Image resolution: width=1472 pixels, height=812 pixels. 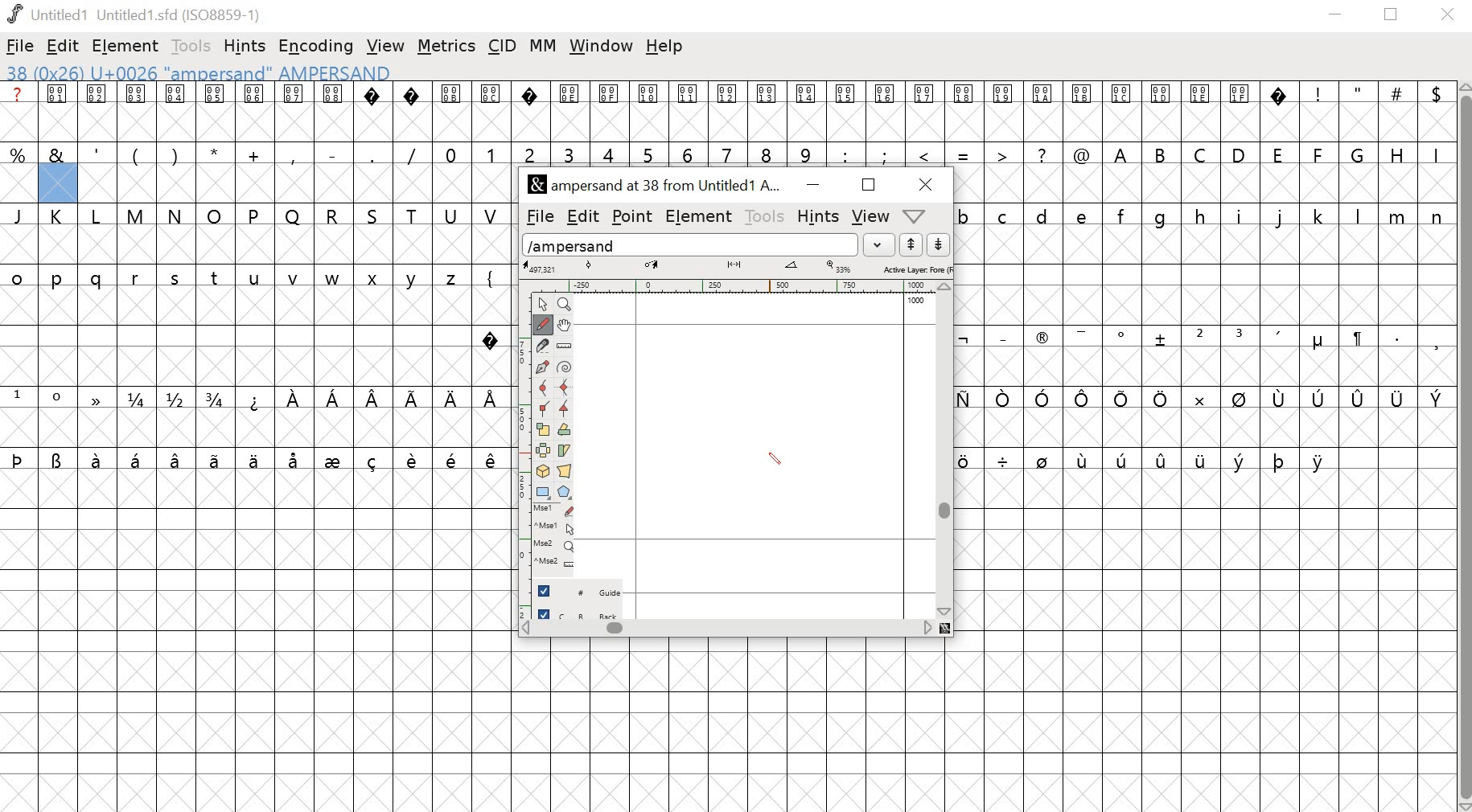 What do you see at coordinates (965, 112) in the screenshot?
I see `0018` at bounding box center [965, 112].